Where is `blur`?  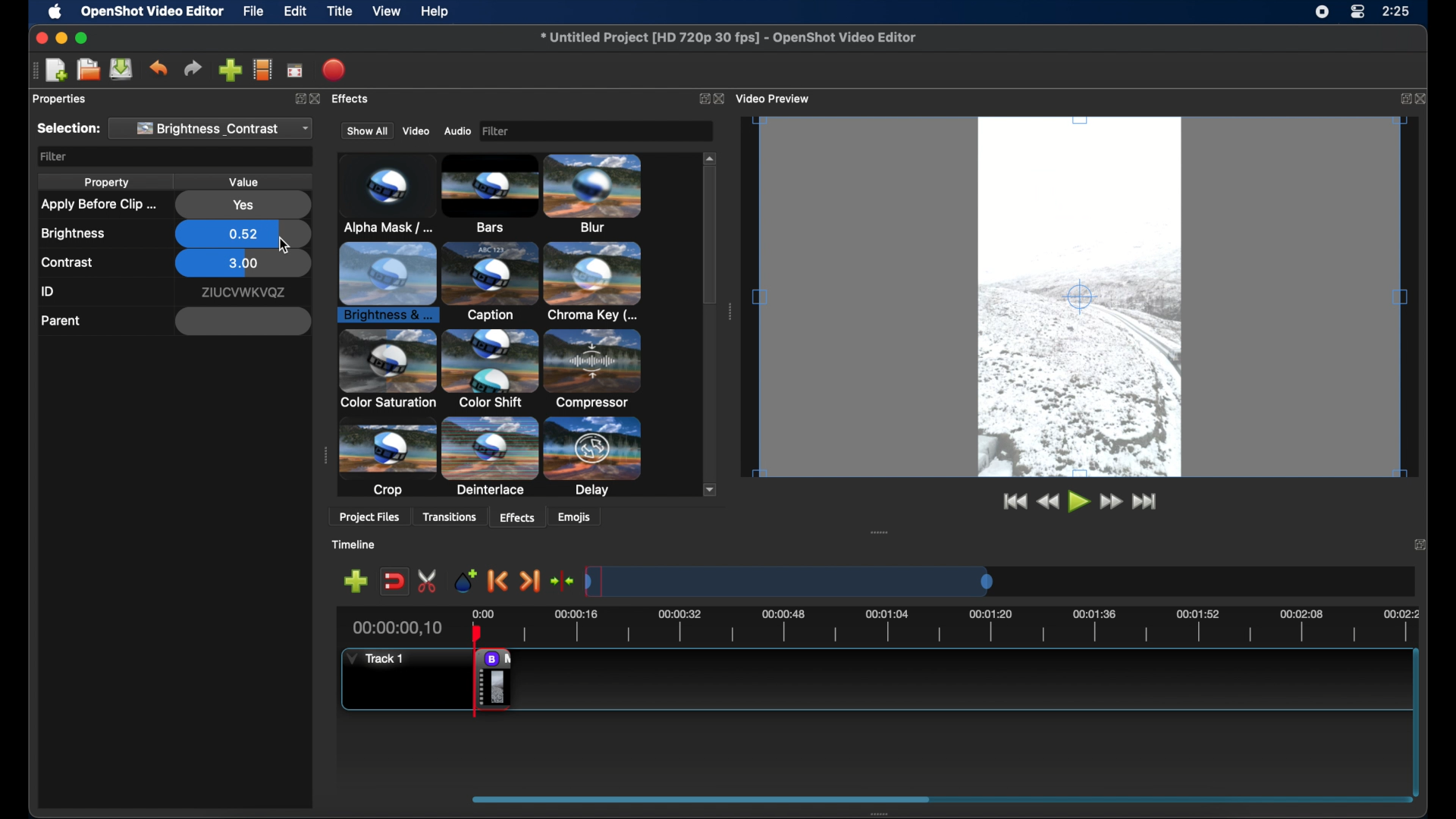 blur is located at coordinates (483, 193).